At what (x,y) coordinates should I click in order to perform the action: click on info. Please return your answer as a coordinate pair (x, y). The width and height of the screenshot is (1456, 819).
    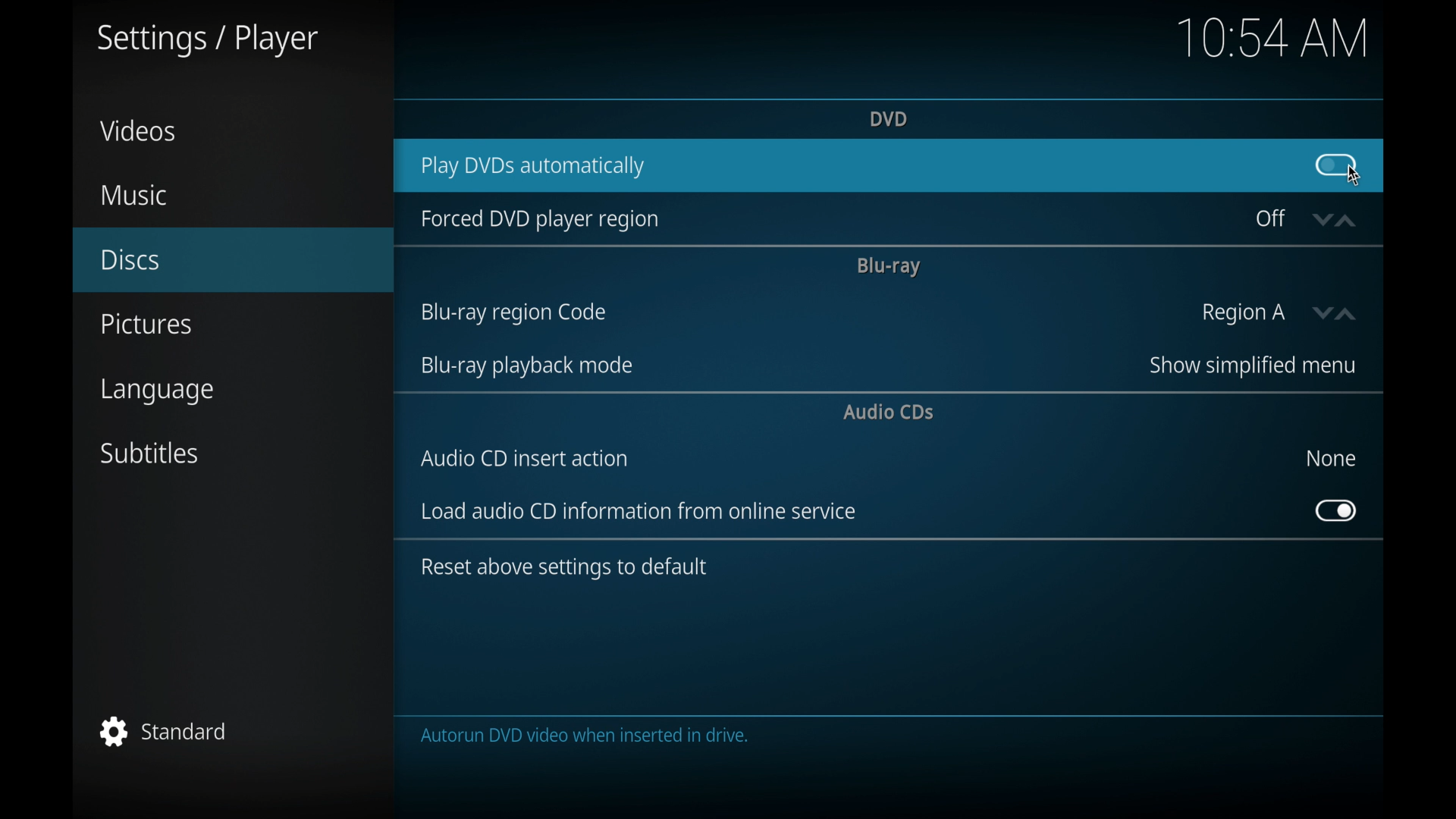
    Looking at the image, I should click on (563, 568).